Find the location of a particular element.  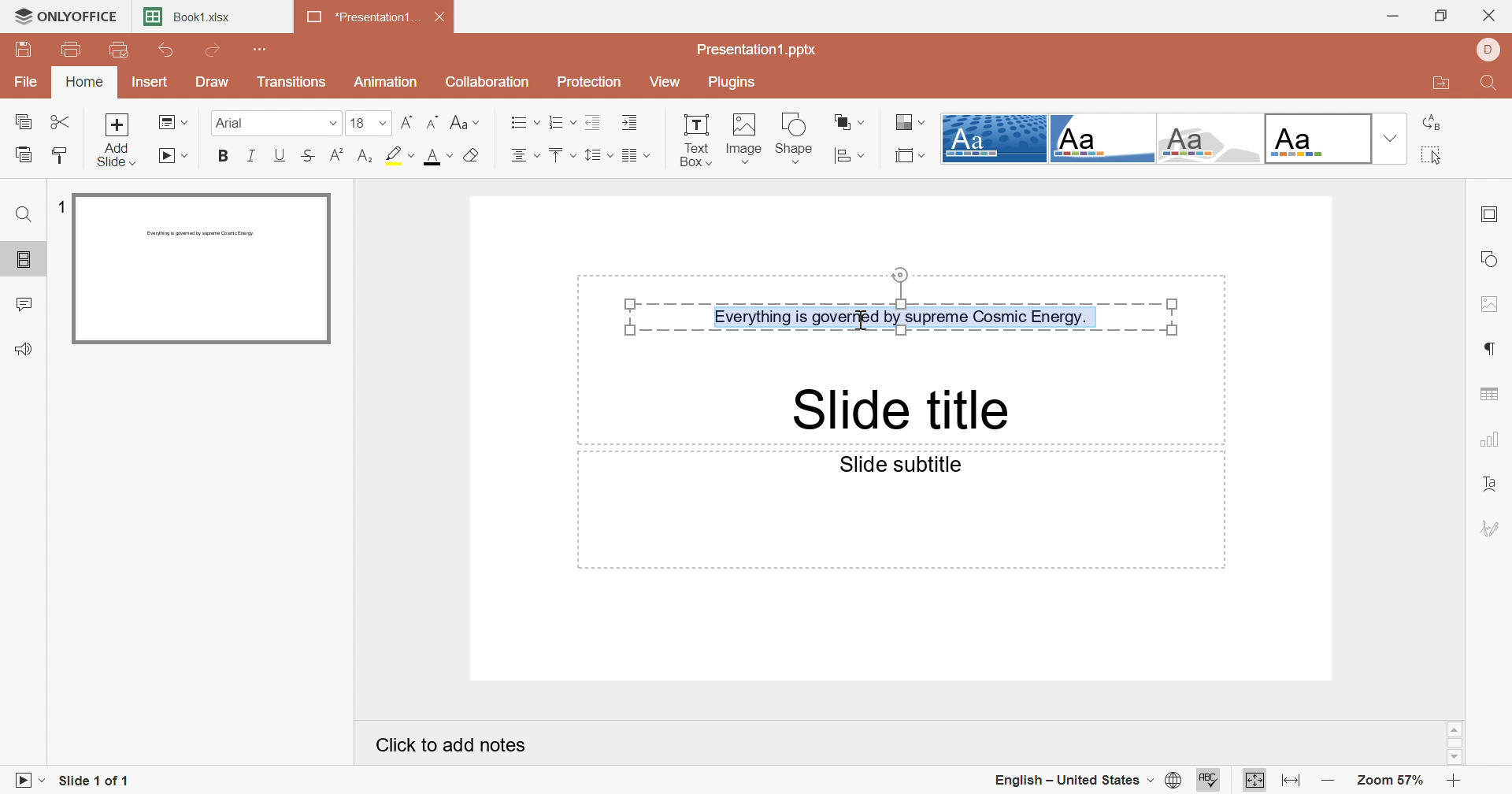

Copy style is located at coordinates (61, 155).